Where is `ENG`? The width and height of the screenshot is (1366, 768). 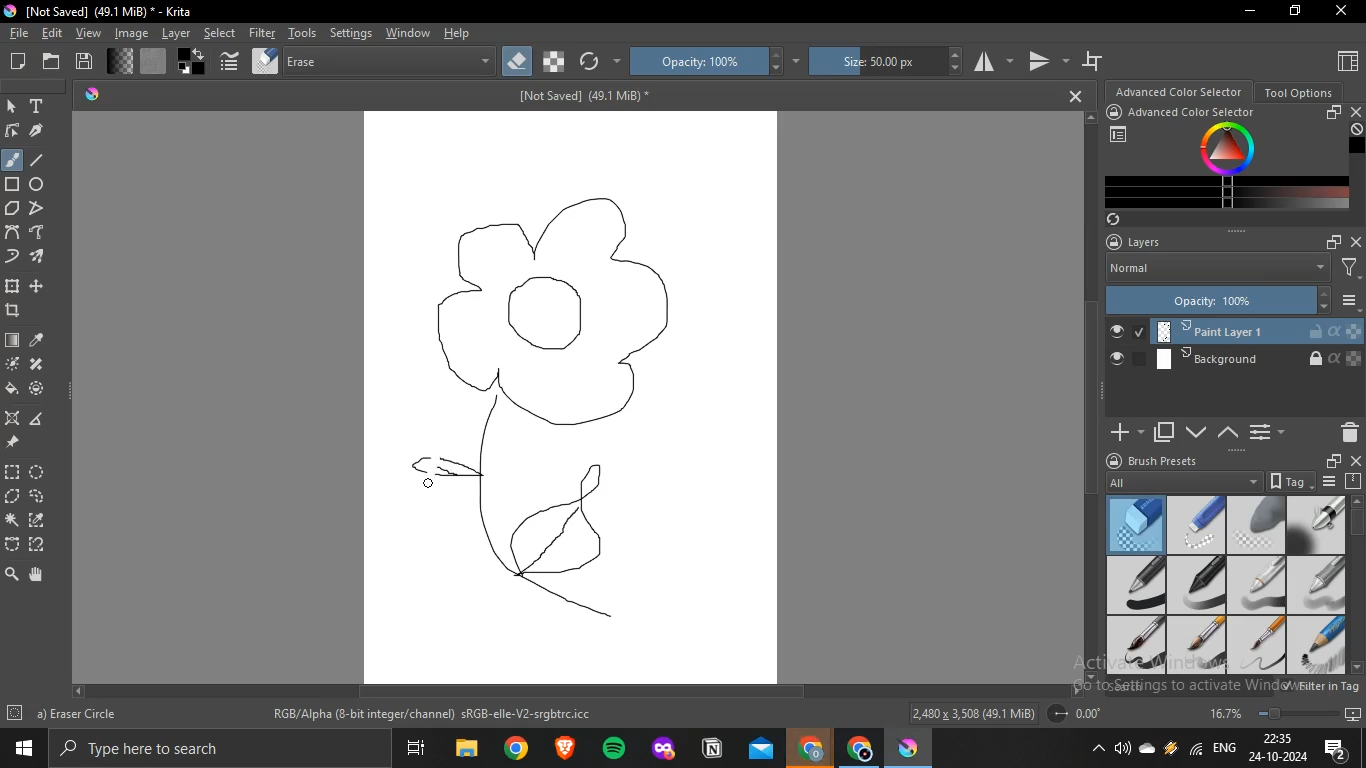 ENG is located at coordinates (1223, 746).